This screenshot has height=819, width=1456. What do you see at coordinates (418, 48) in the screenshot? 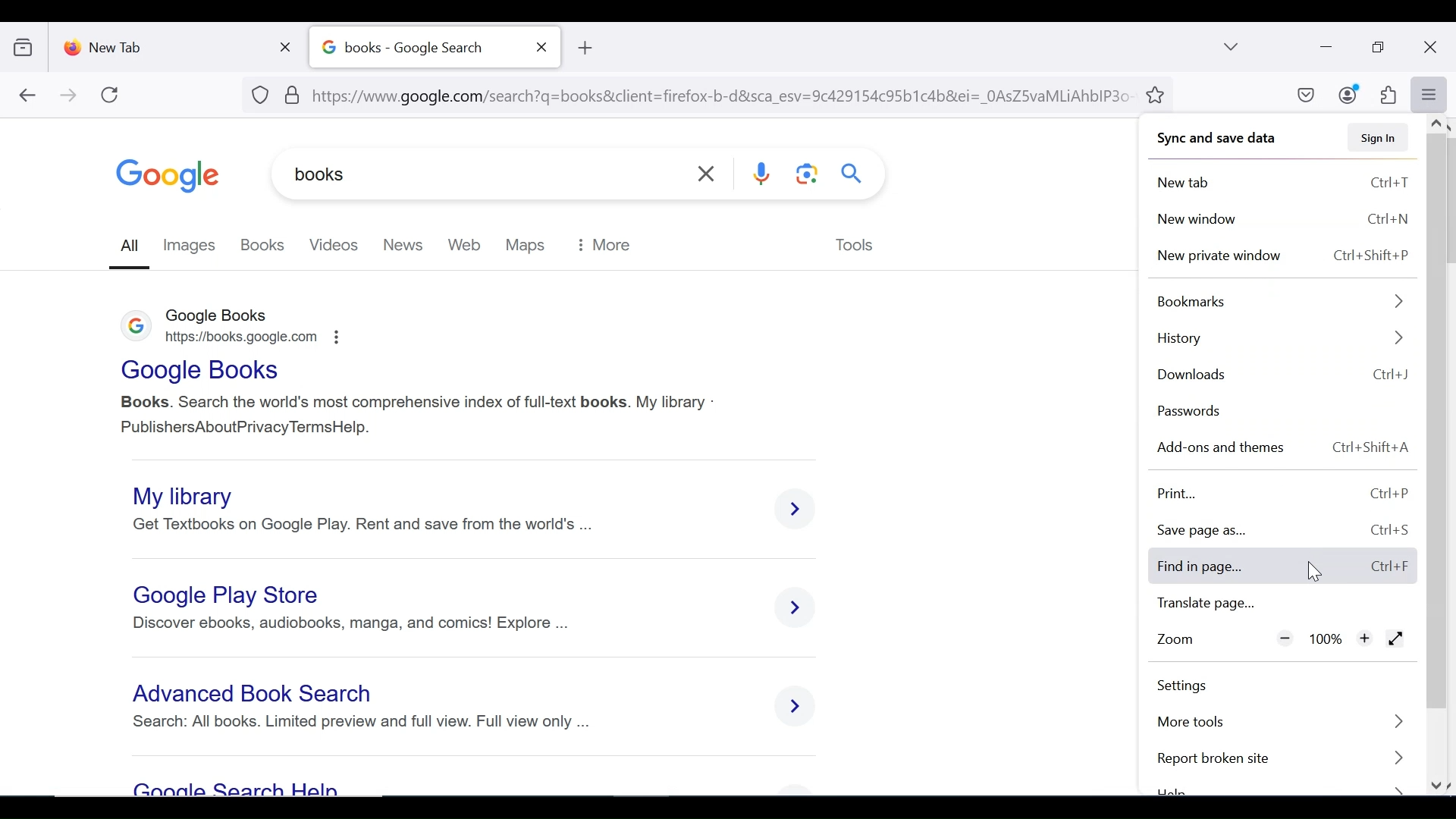
I see `books - Google Search` at bounding box center [418, 48].